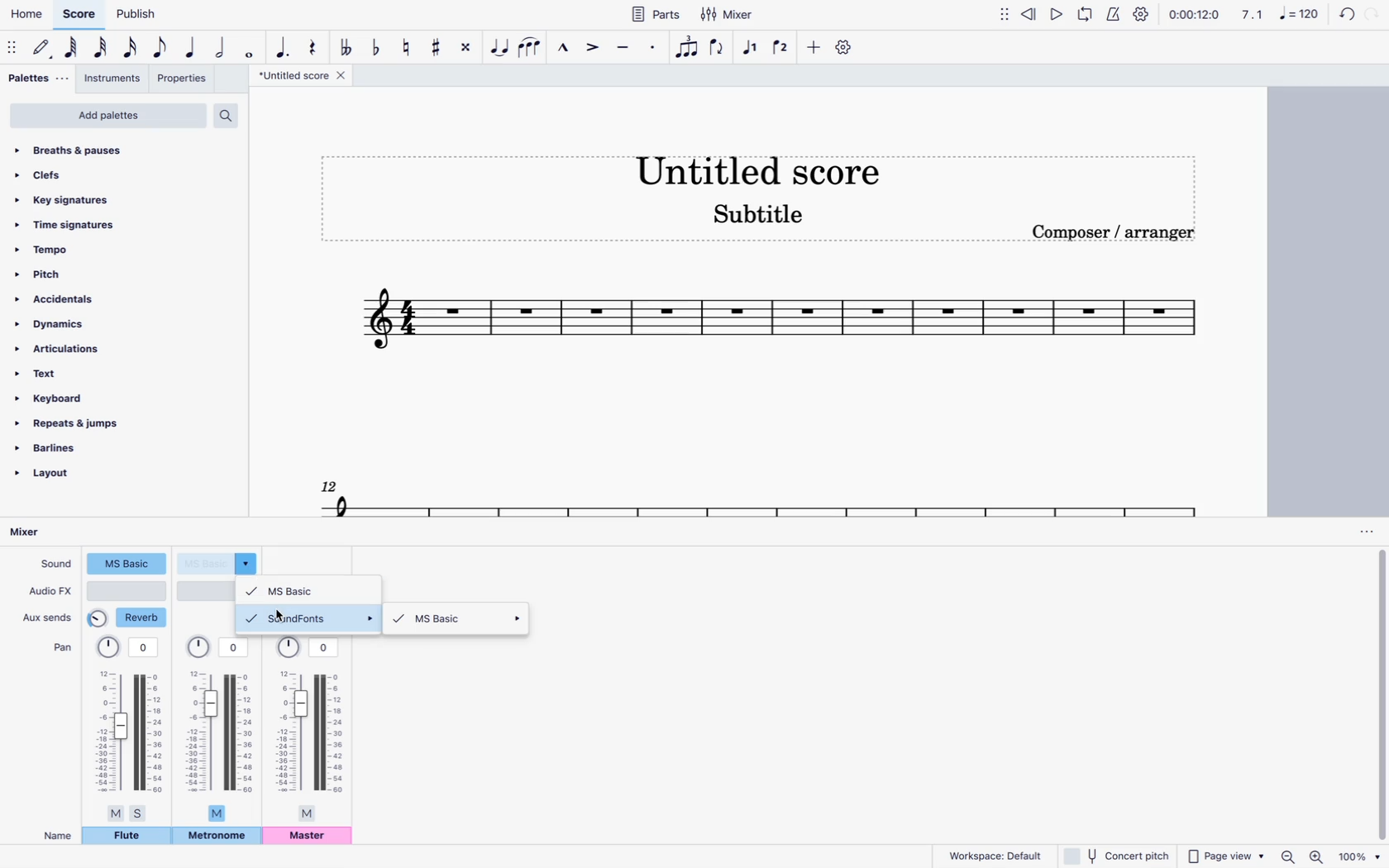  I want to click on score subtitle, so click(767, 214).